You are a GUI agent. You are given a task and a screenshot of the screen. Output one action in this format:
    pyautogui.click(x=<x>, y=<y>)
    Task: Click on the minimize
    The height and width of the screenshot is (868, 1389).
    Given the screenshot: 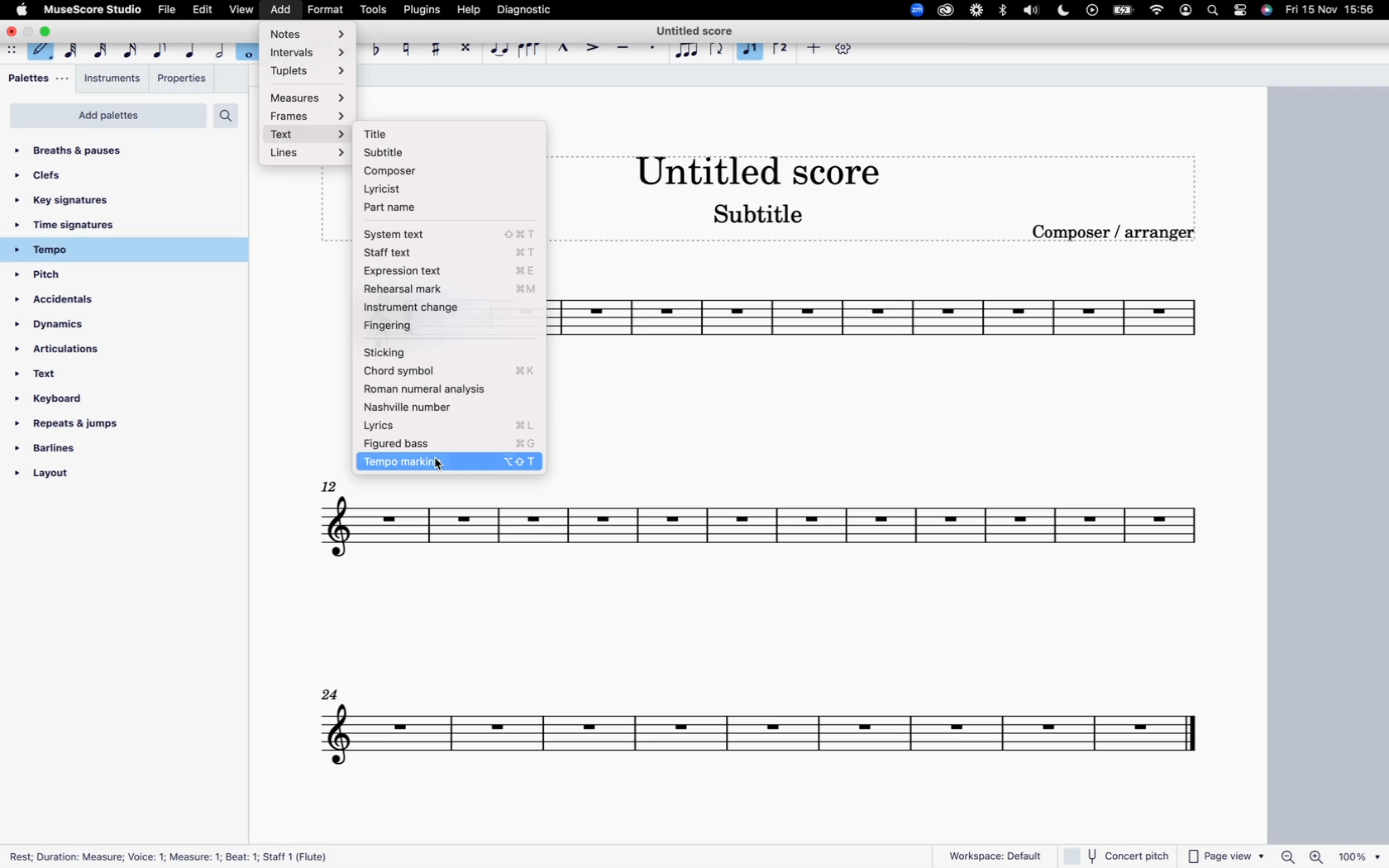 What is the action you would take?
    pyautogui.click(x=30, y=31)
    